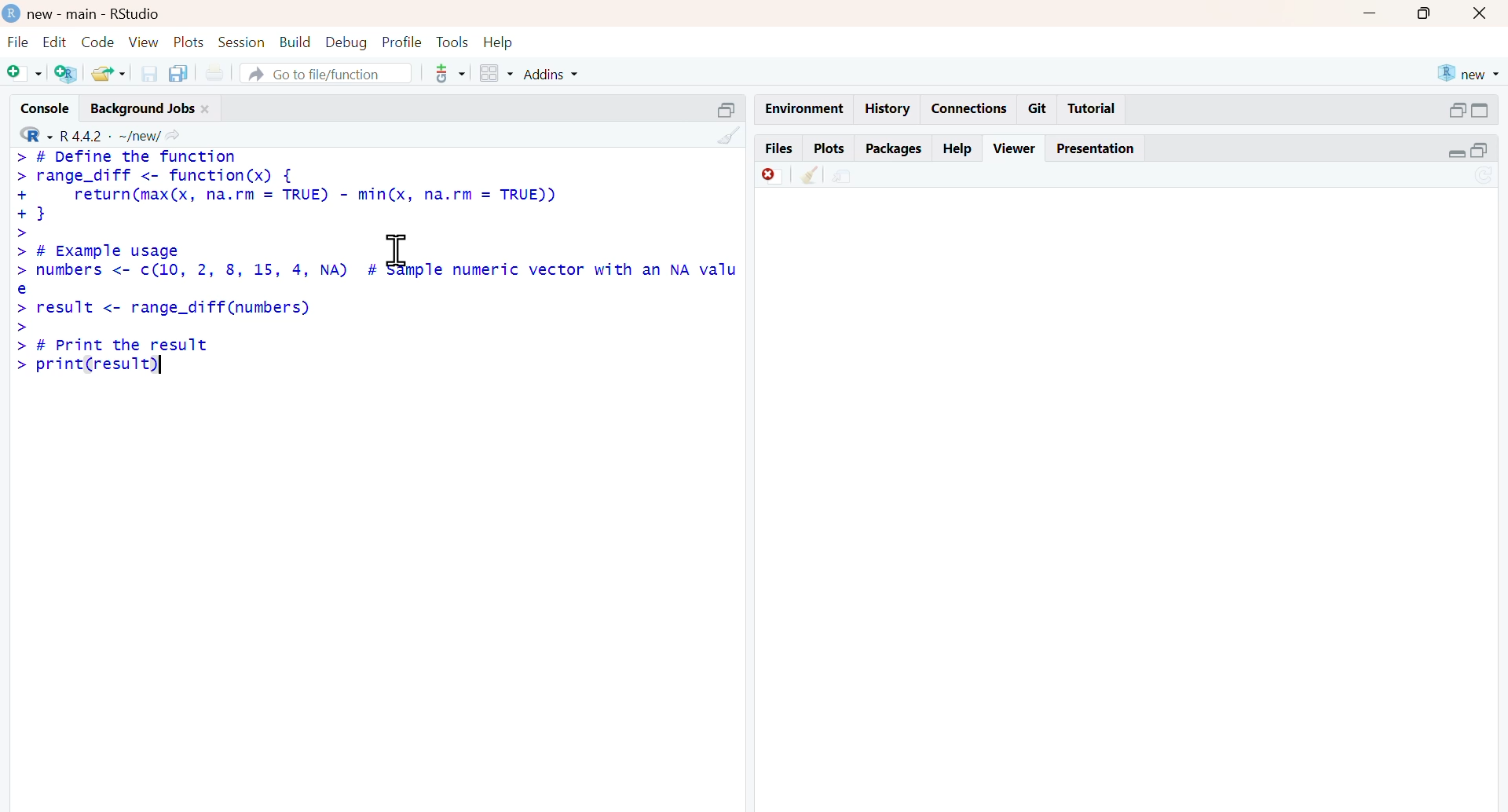 This screenshot has height=812, width=1508. Describe the element at coordinates (172, 136) in the screenshot. I see `share icon` at that location.